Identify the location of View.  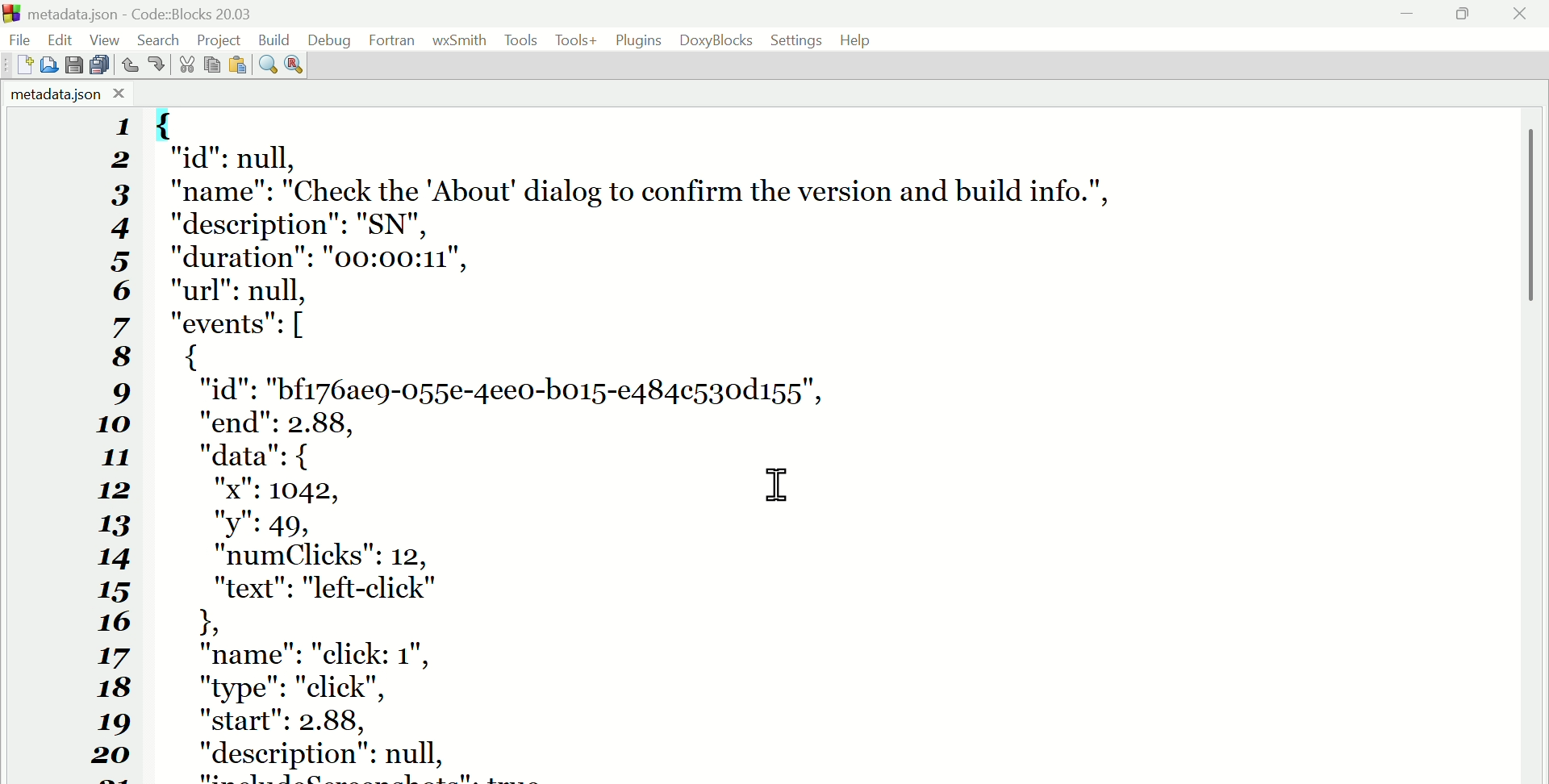
(107, 39).